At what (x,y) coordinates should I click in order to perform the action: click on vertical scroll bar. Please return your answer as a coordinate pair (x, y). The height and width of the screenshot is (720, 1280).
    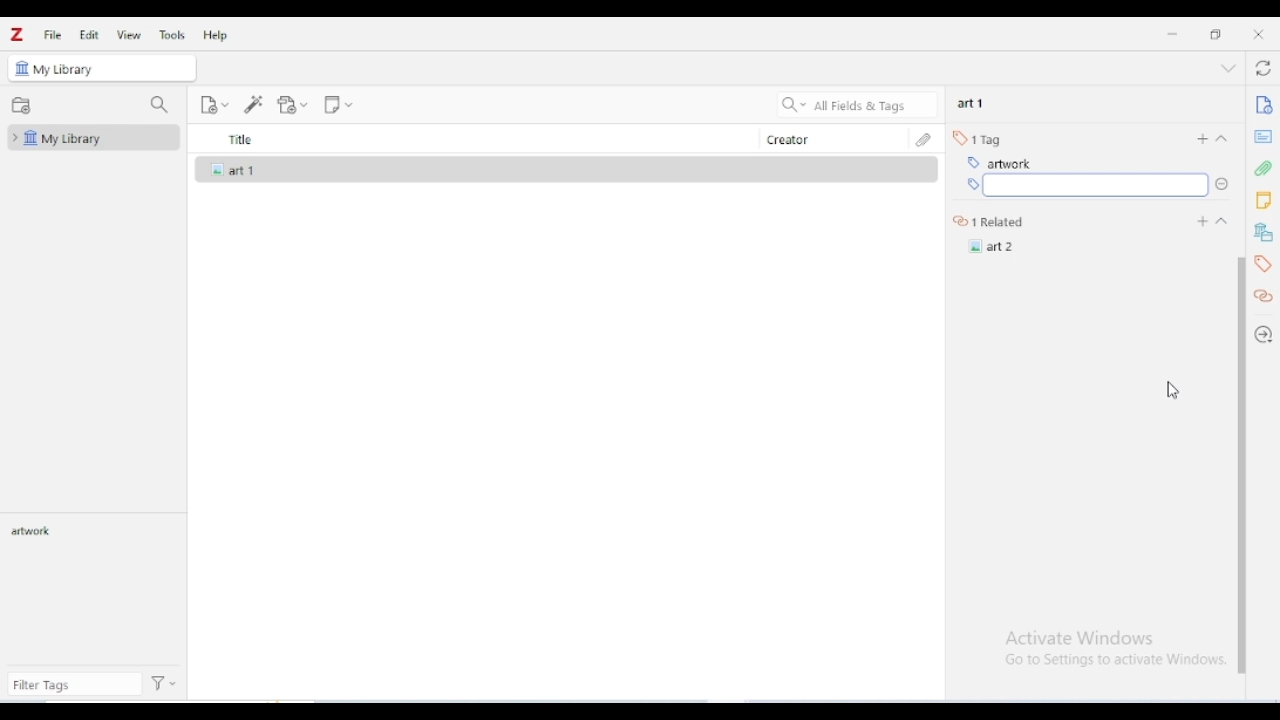
    Looking at the image, I should click on (1242, 490).